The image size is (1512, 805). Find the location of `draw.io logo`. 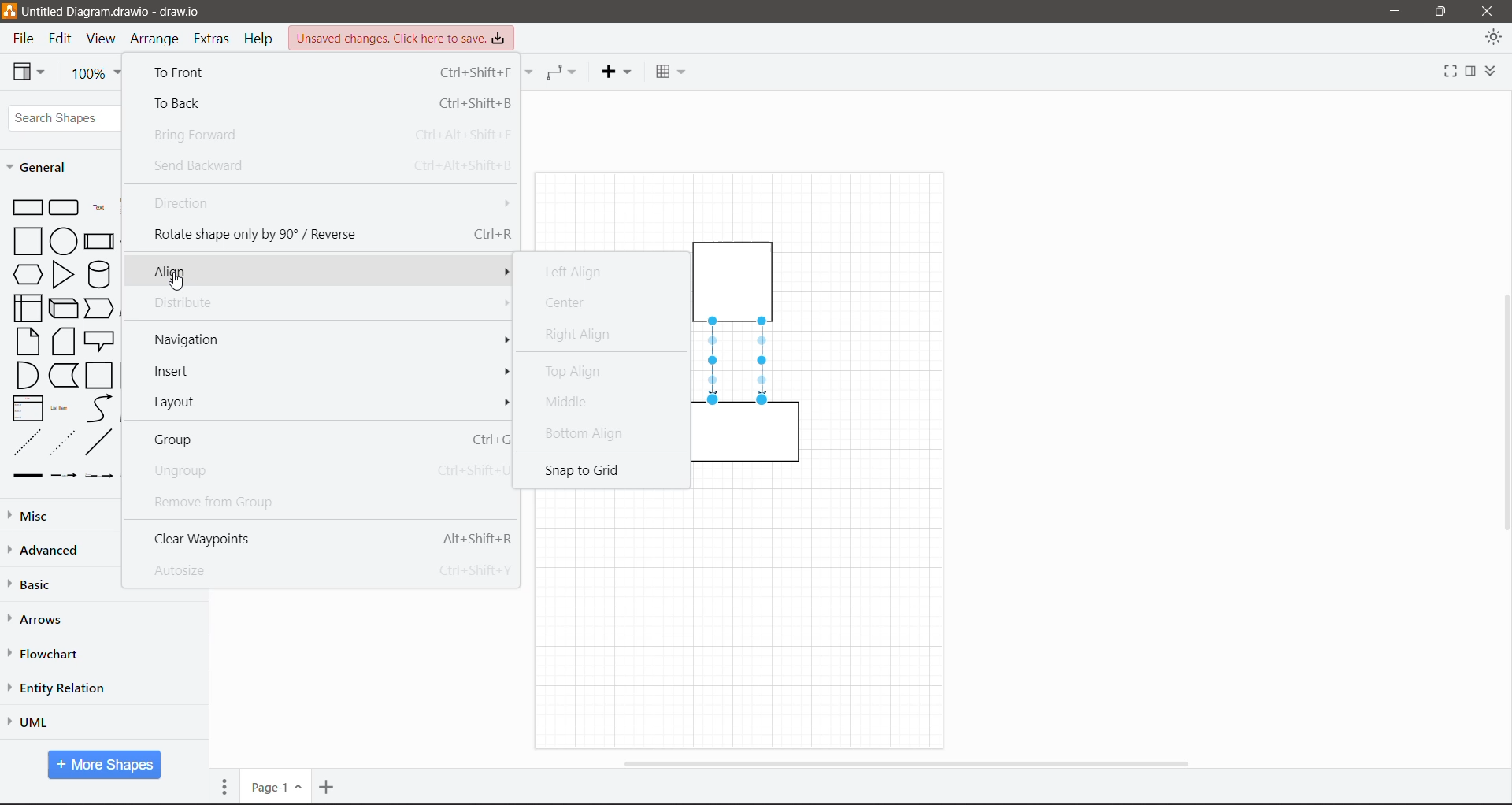

draw.io logo is located at coordinates (9, 10).